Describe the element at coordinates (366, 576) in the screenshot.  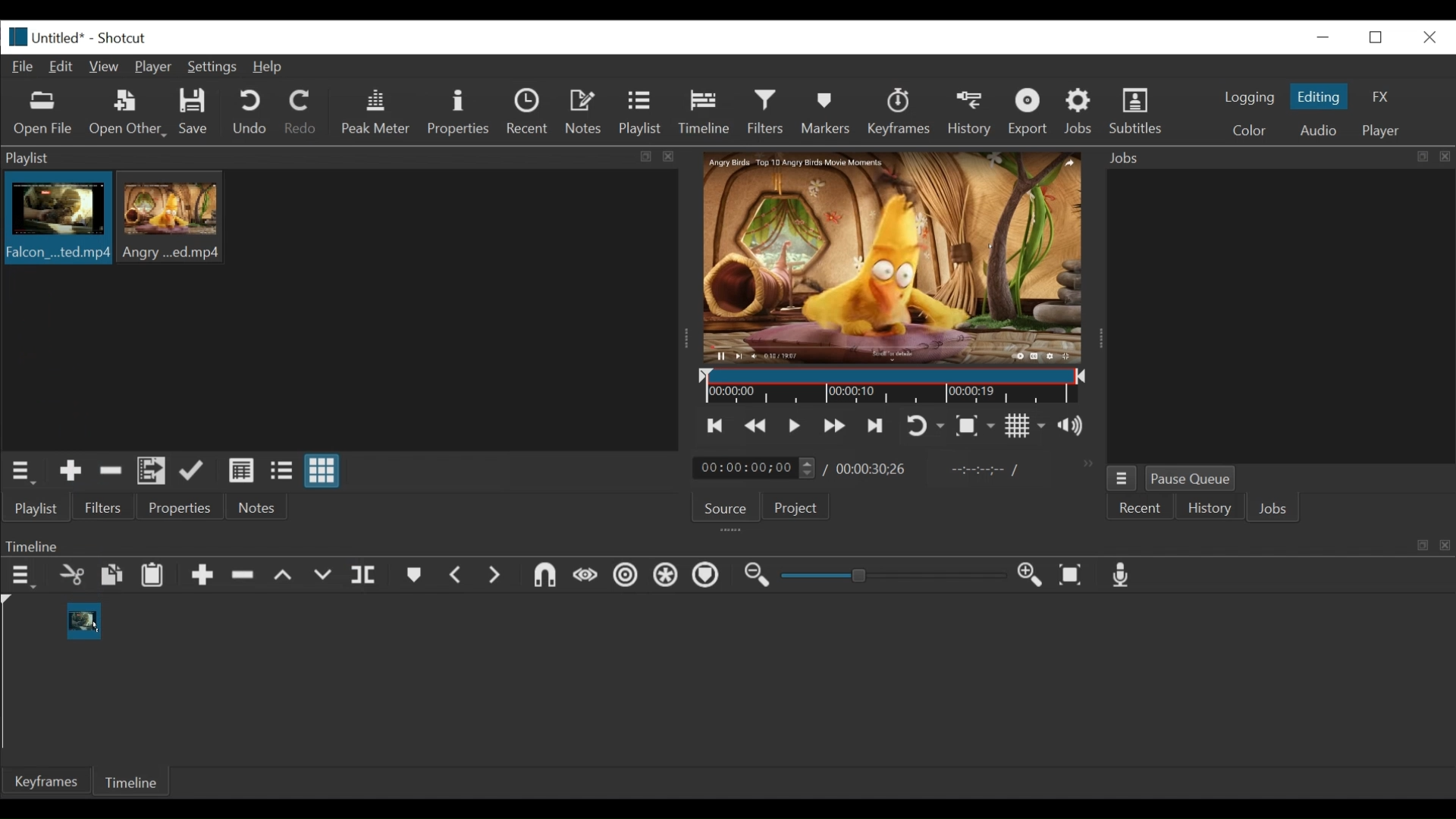
I see `split at playhead` at that location.